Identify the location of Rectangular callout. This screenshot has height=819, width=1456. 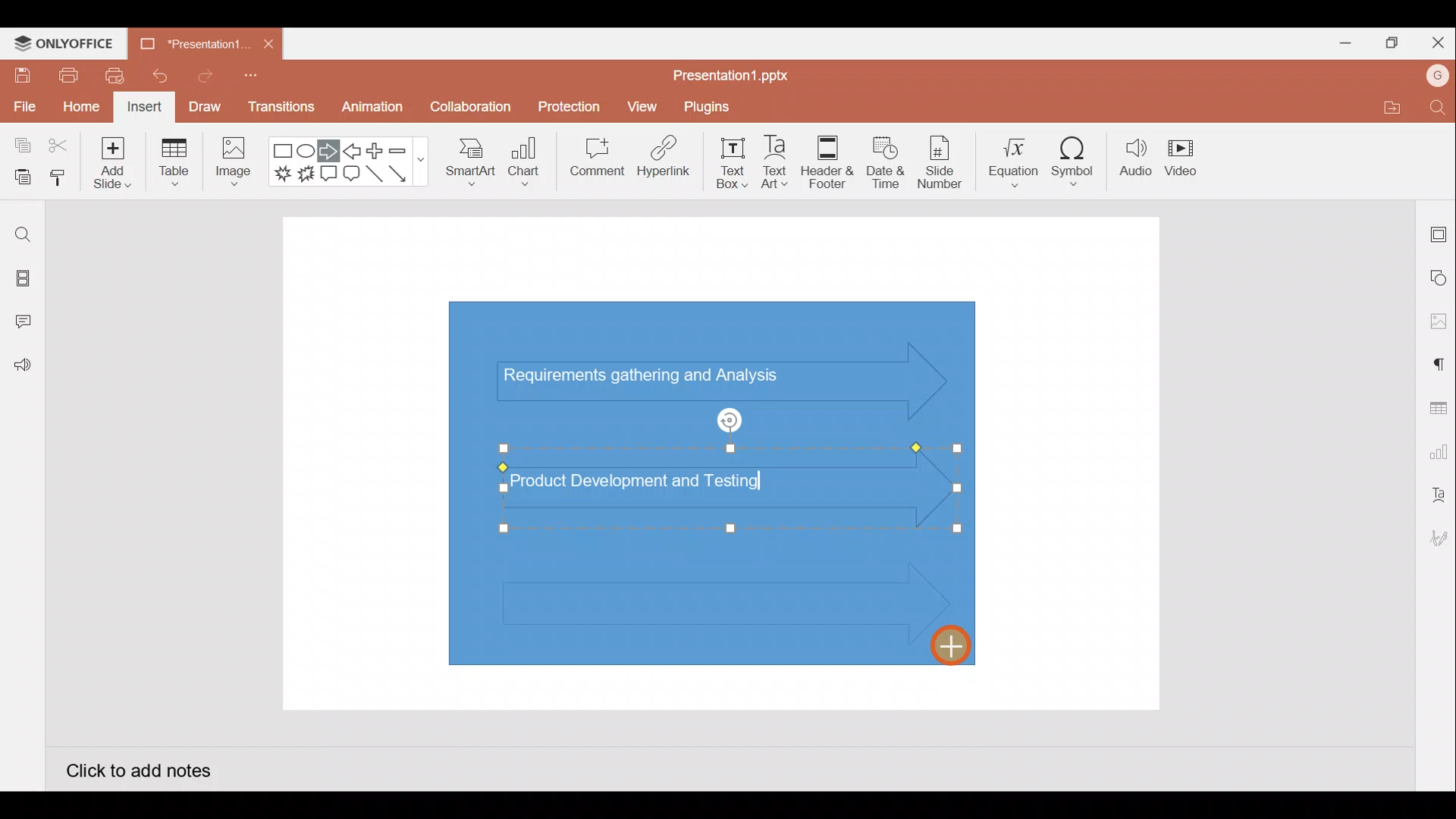
(329, 174).